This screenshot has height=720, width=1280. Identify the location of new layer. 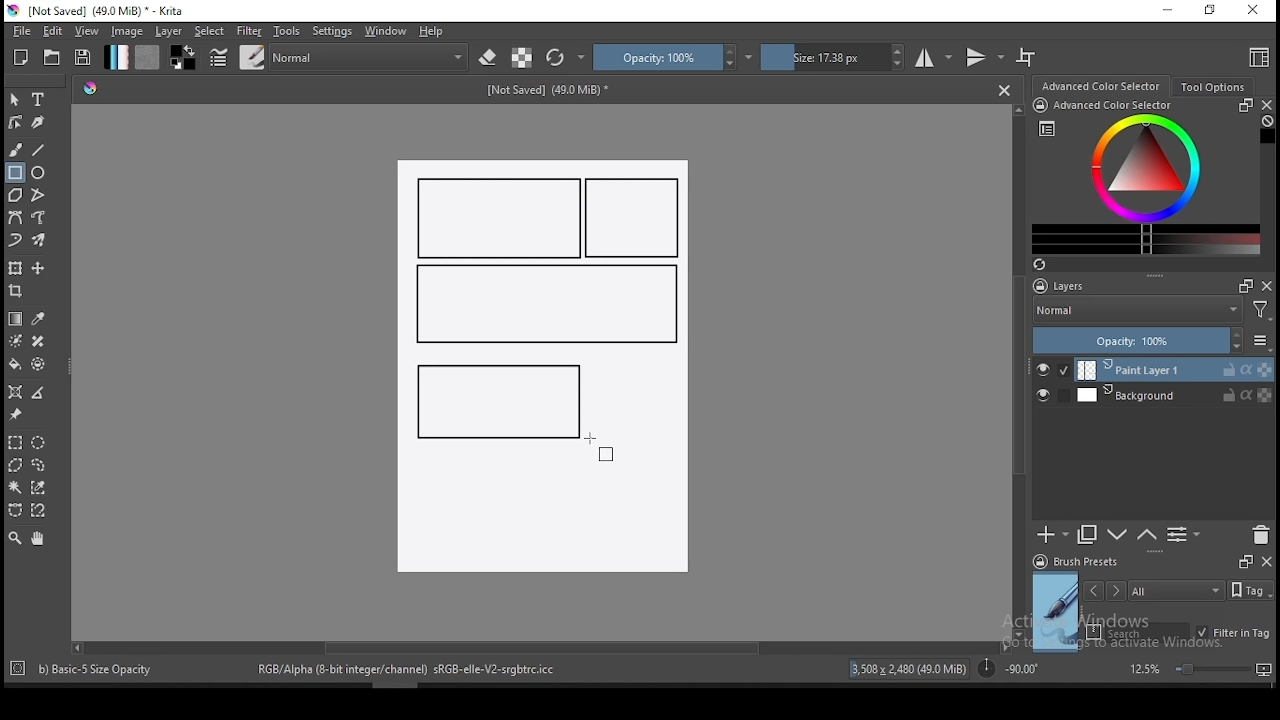
(1053, 534).